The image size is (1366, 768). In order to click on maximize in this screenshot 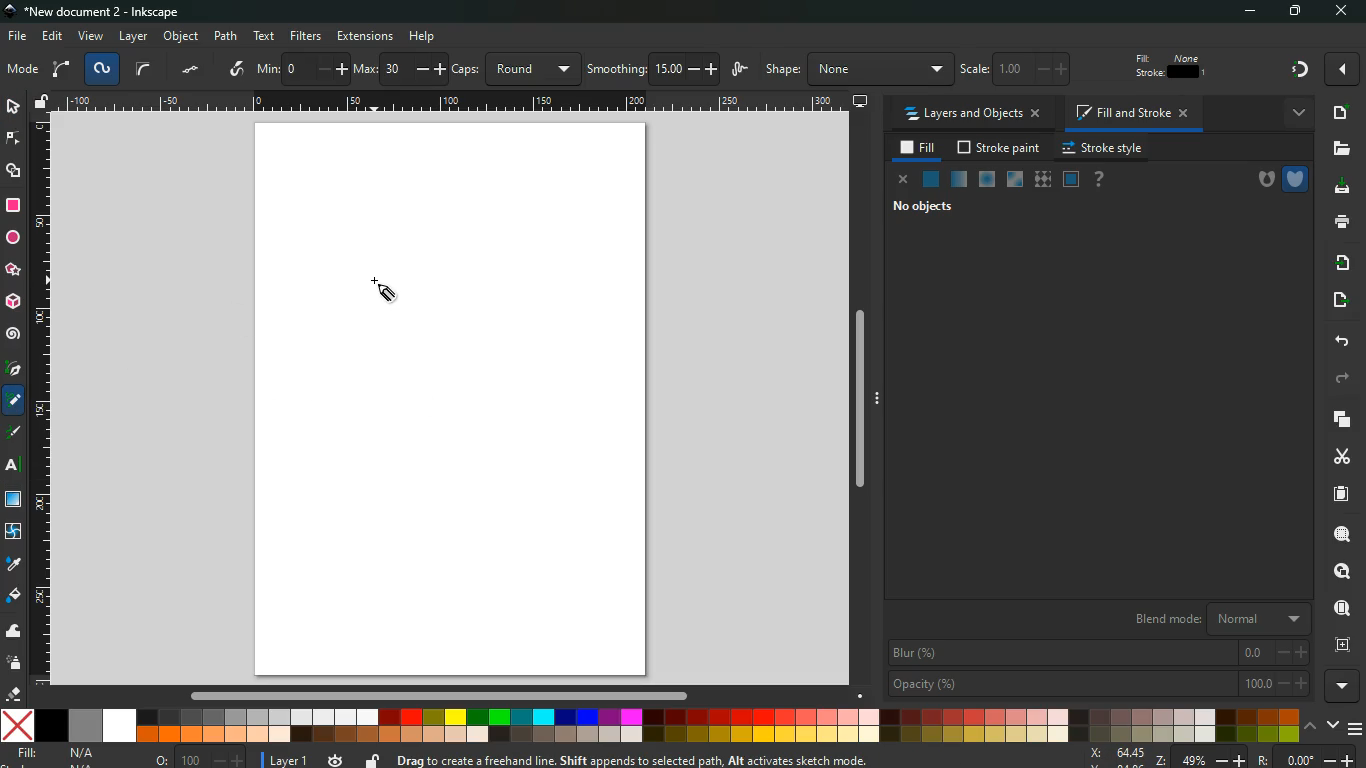, I will do `click(1290, 11)`.